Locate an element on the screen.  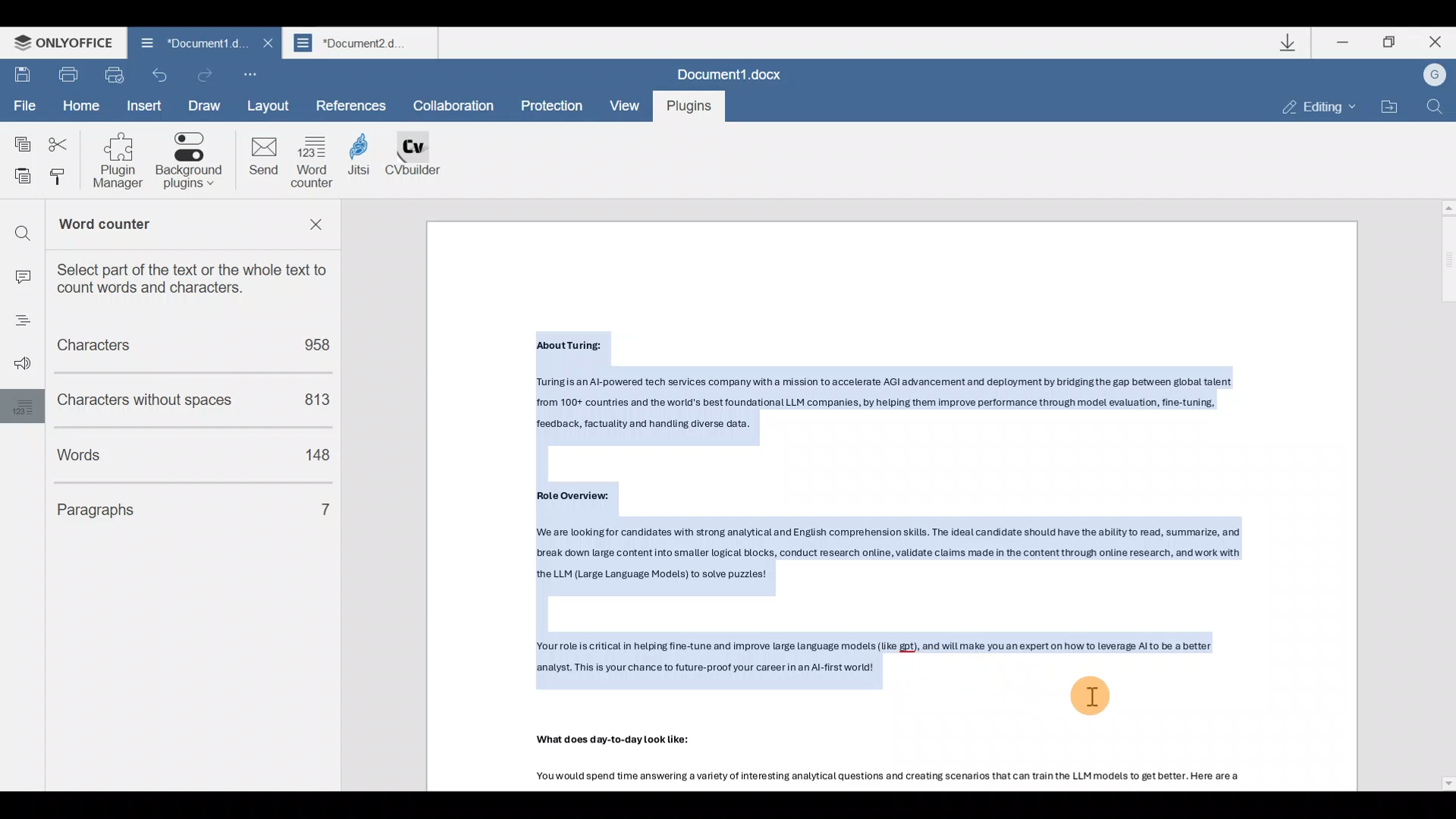
7 is located at coordinates (319, 508).